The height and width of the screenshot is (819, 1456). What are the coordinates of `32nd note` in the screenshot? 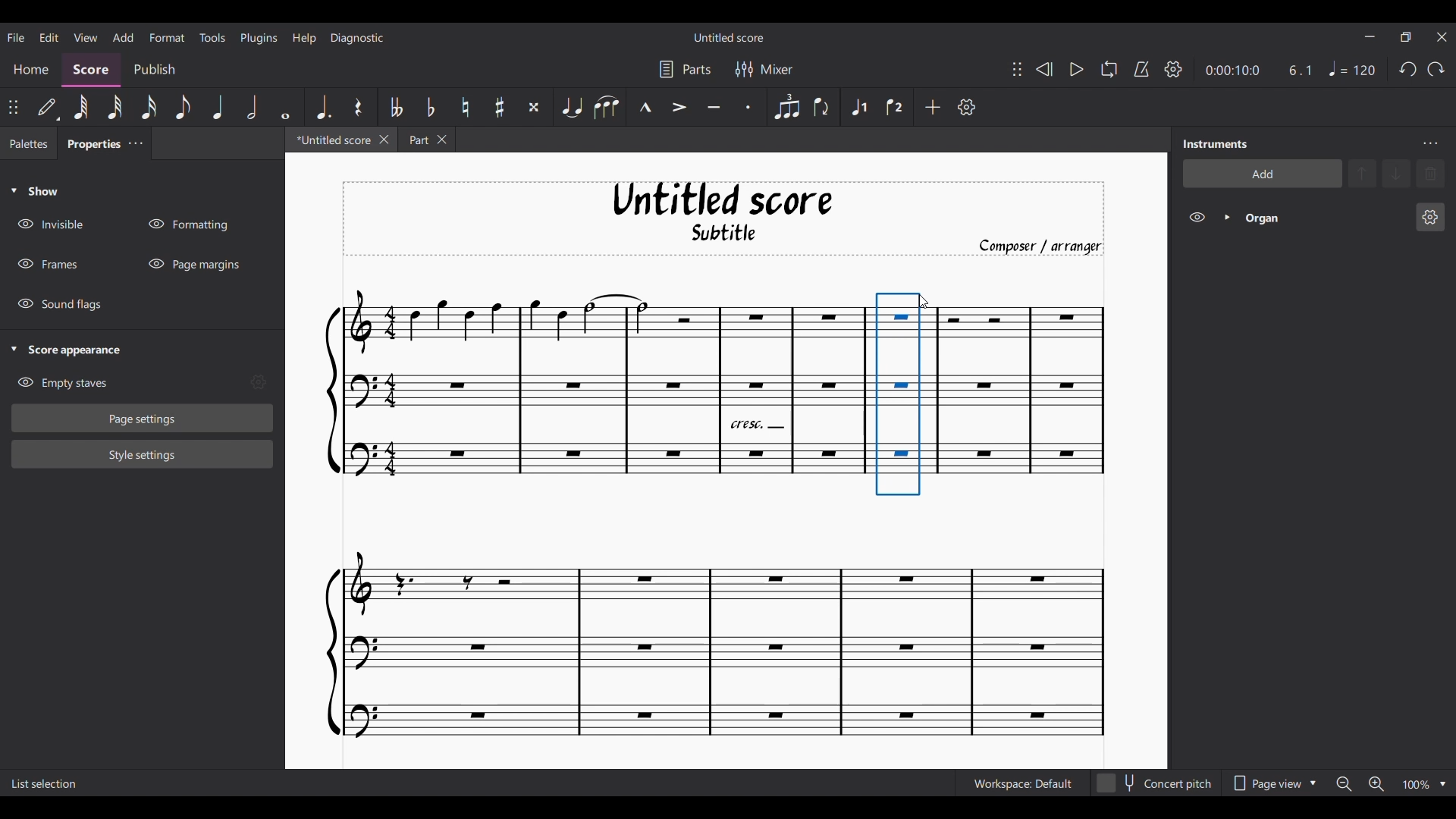 It's located at (115, 108).